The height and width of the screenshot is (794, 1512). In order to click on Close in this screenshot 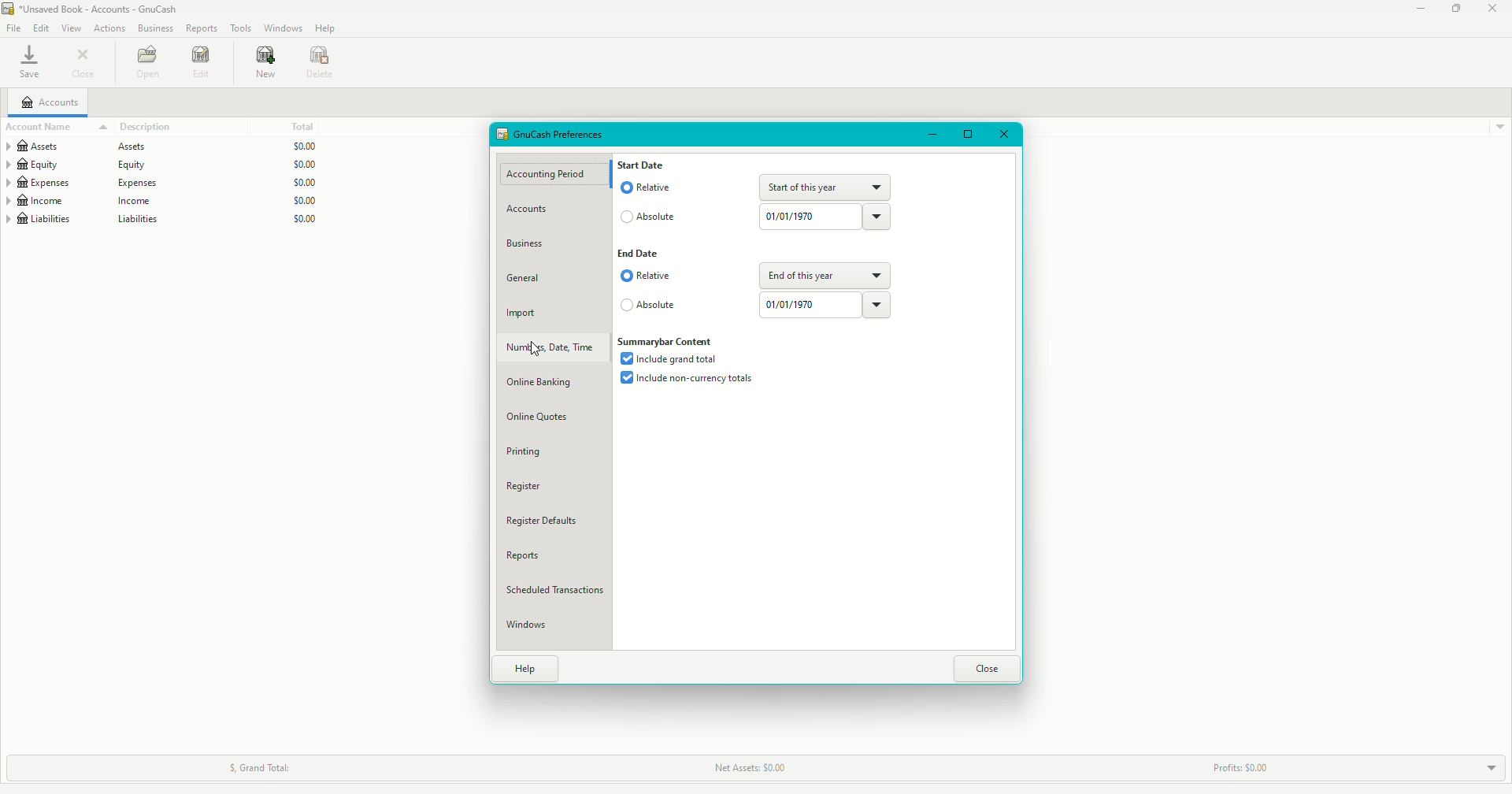, I will do `click(1003, 133)`.